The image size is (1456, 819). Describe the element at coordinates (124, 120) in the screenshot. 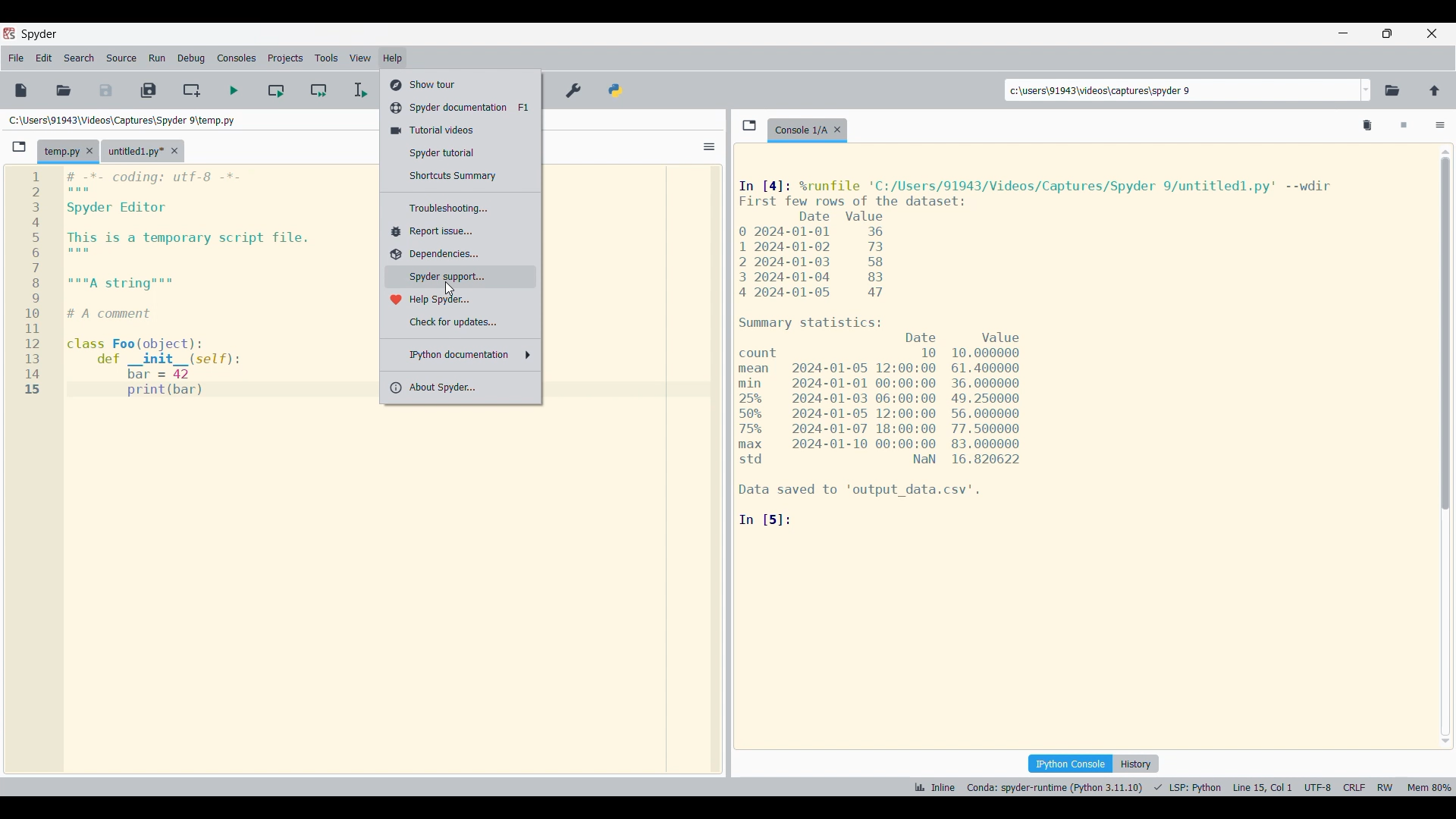

I see `File location` at that location.